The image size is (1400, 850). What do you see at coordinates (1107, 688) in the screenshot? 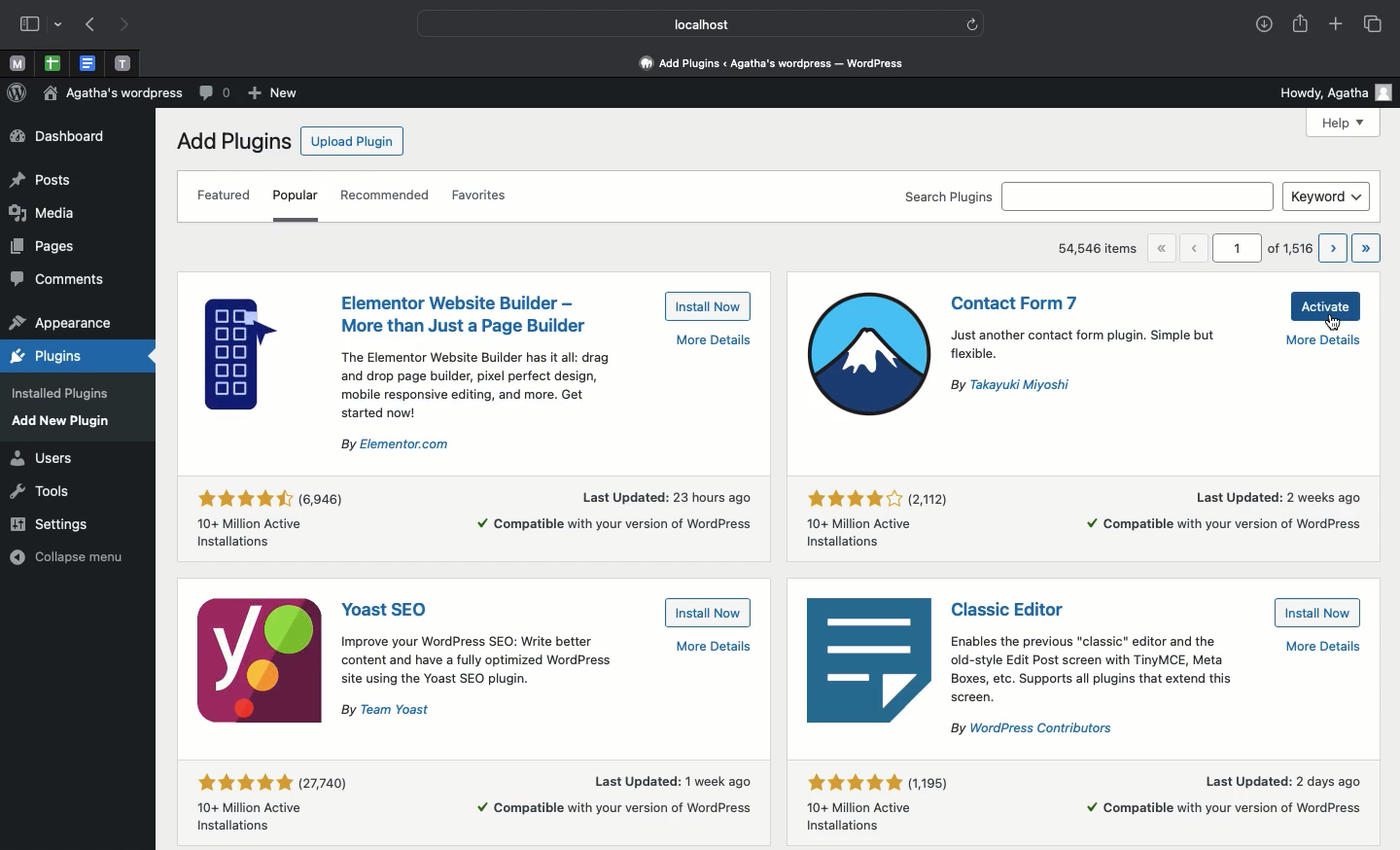
I see `Informational text` at bounding box center [1107, 688].